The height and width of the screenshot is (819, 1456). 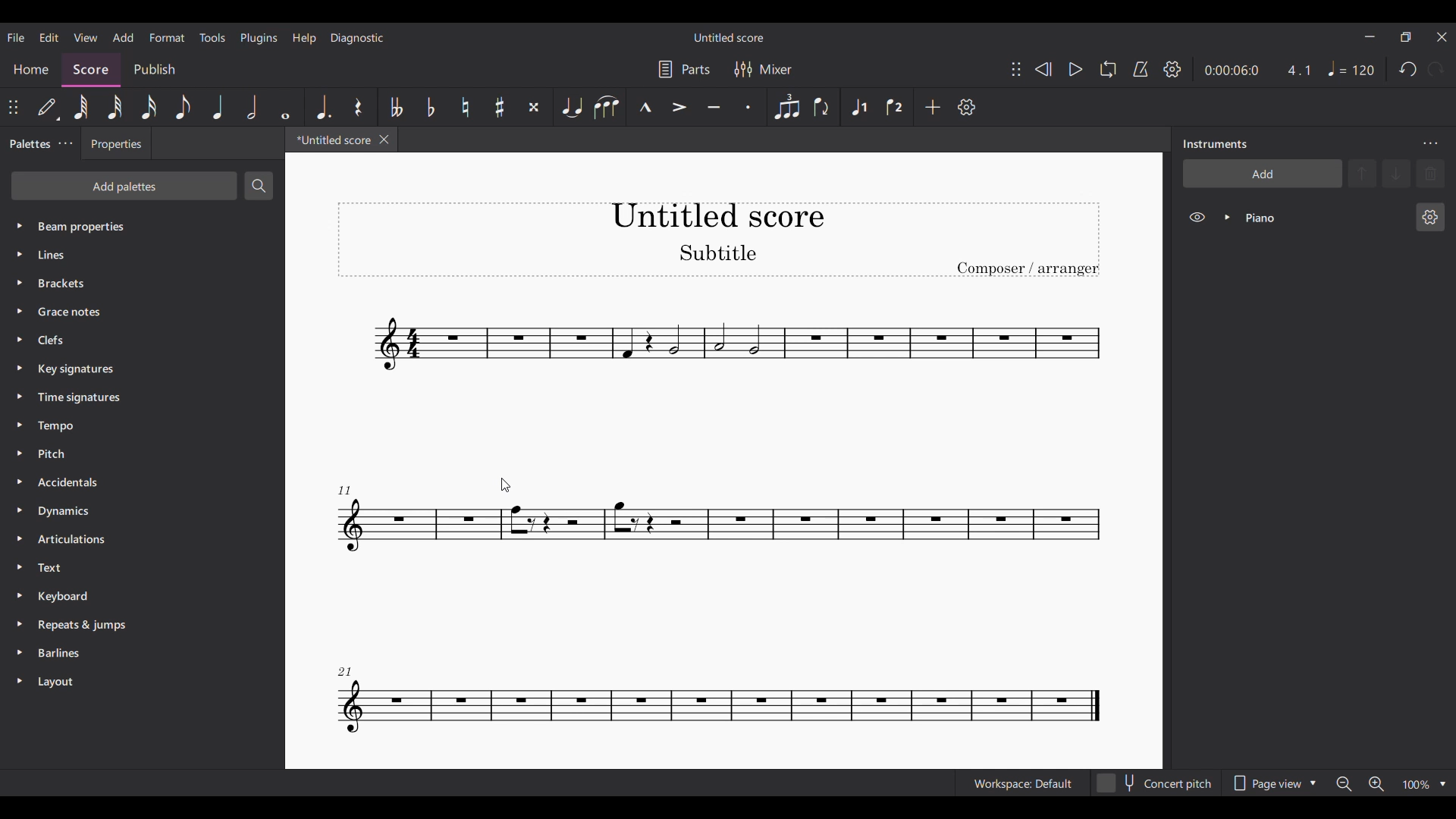 I want to click on Half note, so click(x=252, y=107).